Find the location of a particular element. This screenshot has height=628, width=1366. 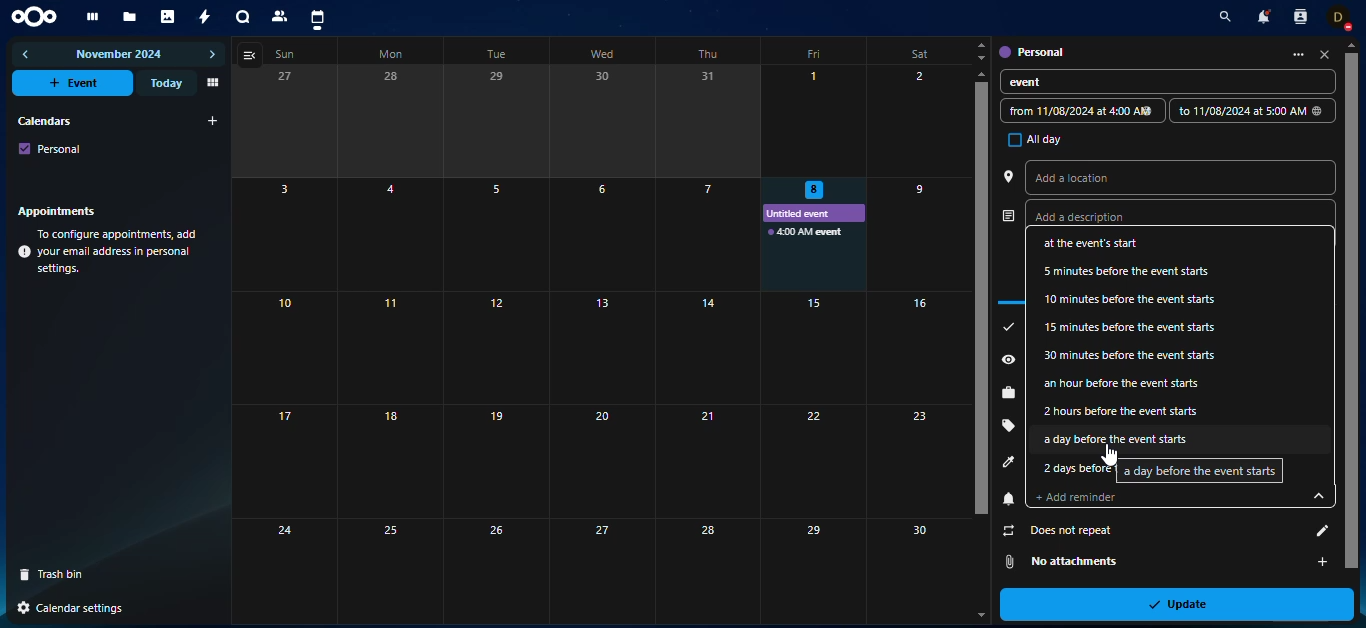

activity is located at coordinates (206, 17).